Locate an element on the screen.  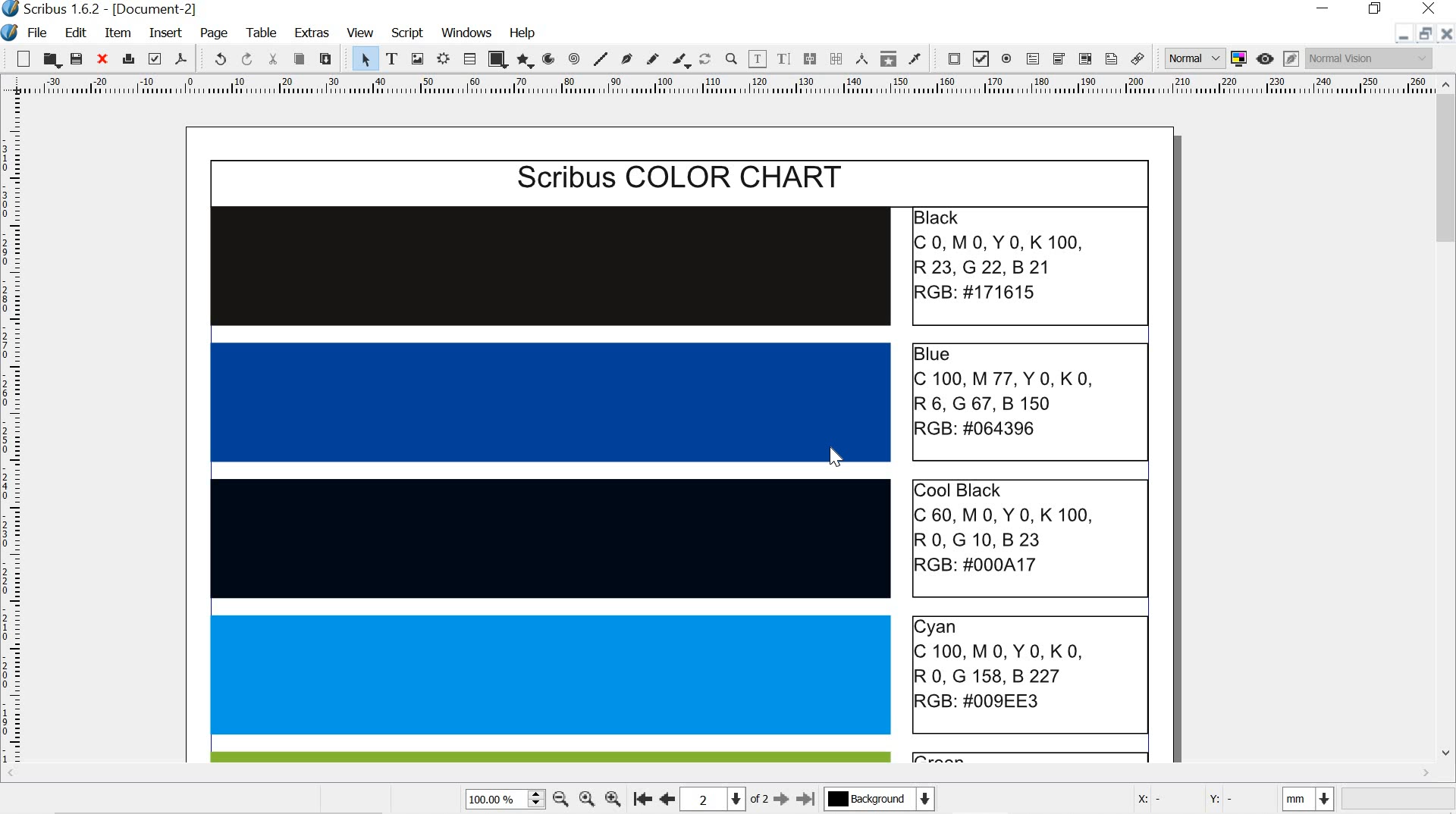
image frame is located at coordinates (418, 58).